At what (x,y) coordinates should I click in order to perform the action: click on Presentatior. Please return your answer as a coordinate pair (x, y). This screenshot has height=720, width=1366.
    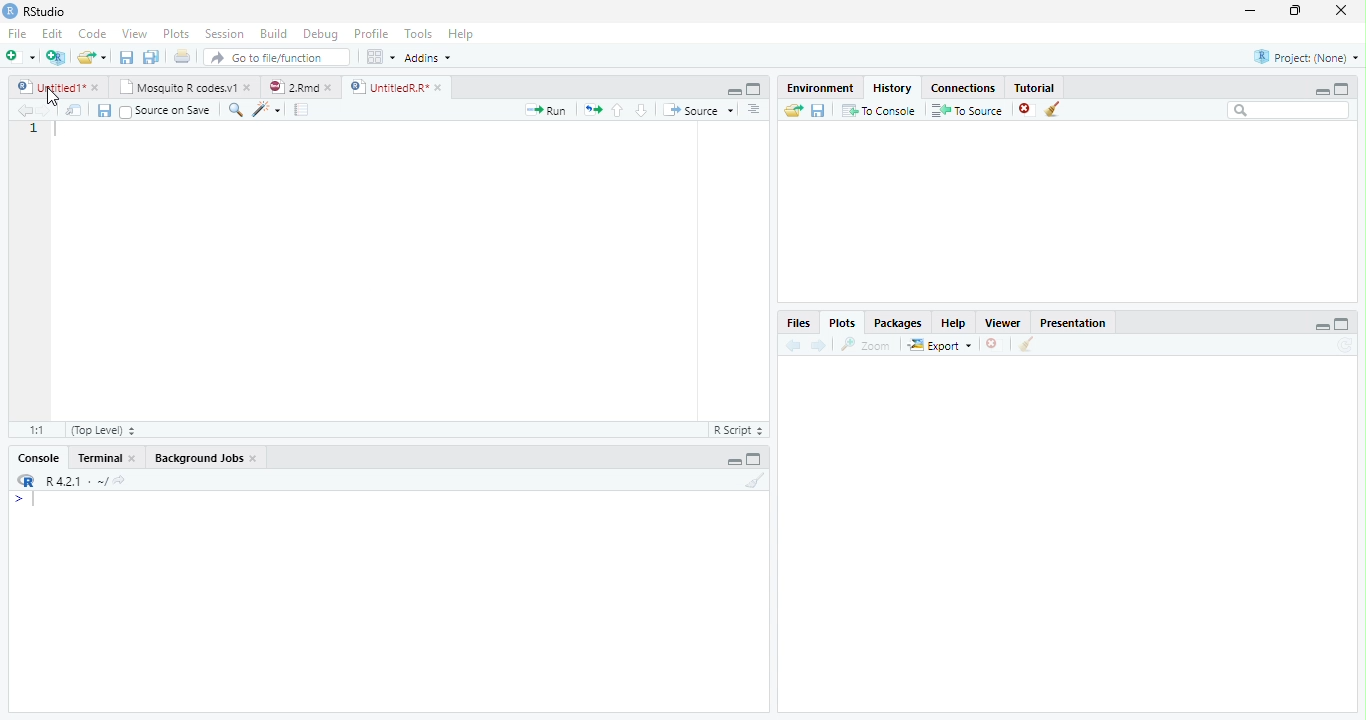
    Looking at the image, I should click on (1072, 324).